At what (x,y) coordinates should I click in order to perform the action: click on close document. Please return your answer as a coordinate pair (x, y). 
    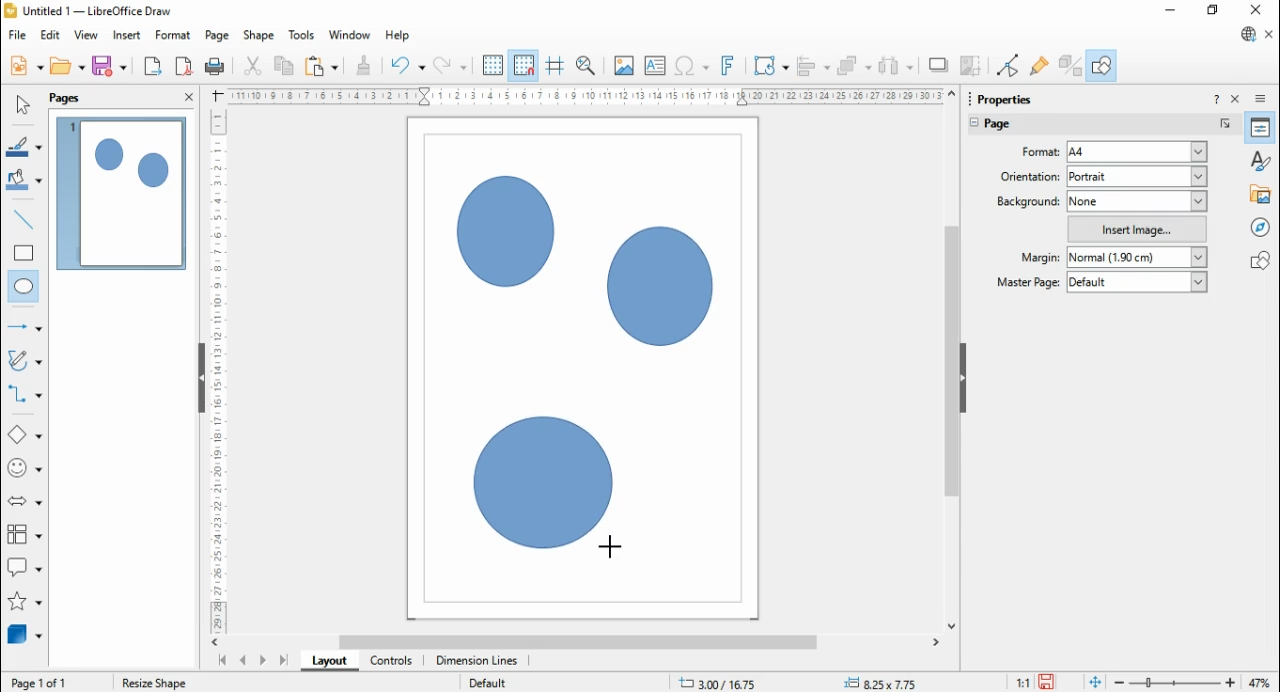
    Looking at the image, I should click on (1270, 35).